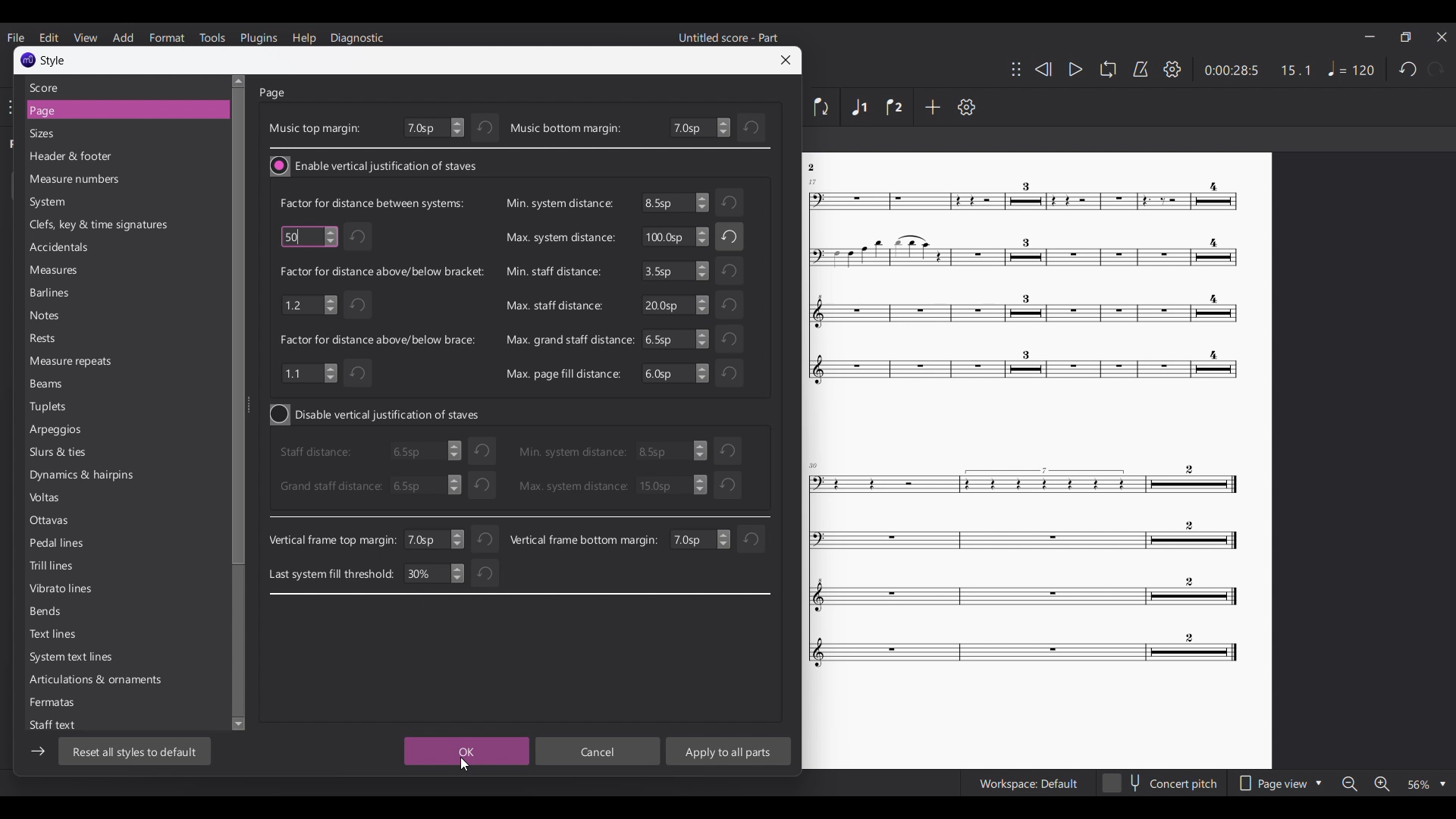  What do you see at coordinates (552, 306) in the screenshot?
I see `Max. staff distance` at bounding box center [552, 306].